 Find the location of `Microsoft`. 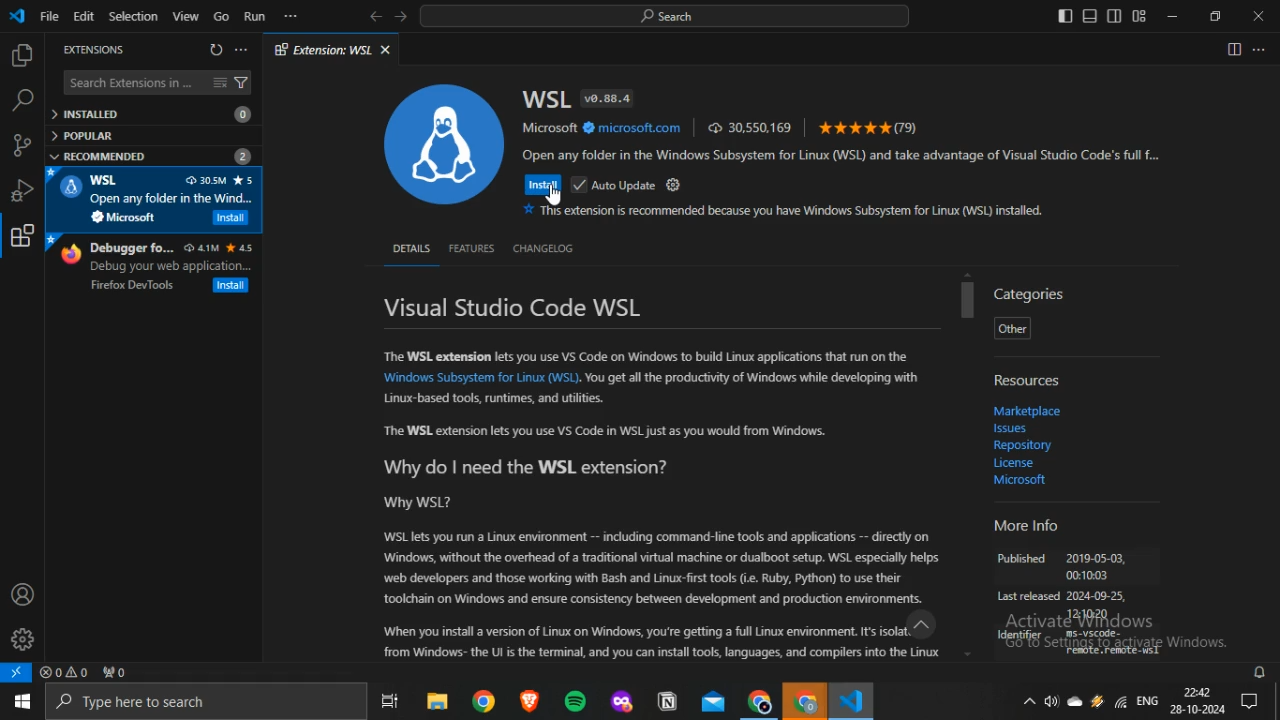

Microsoft is located at coordinates (550, 127).